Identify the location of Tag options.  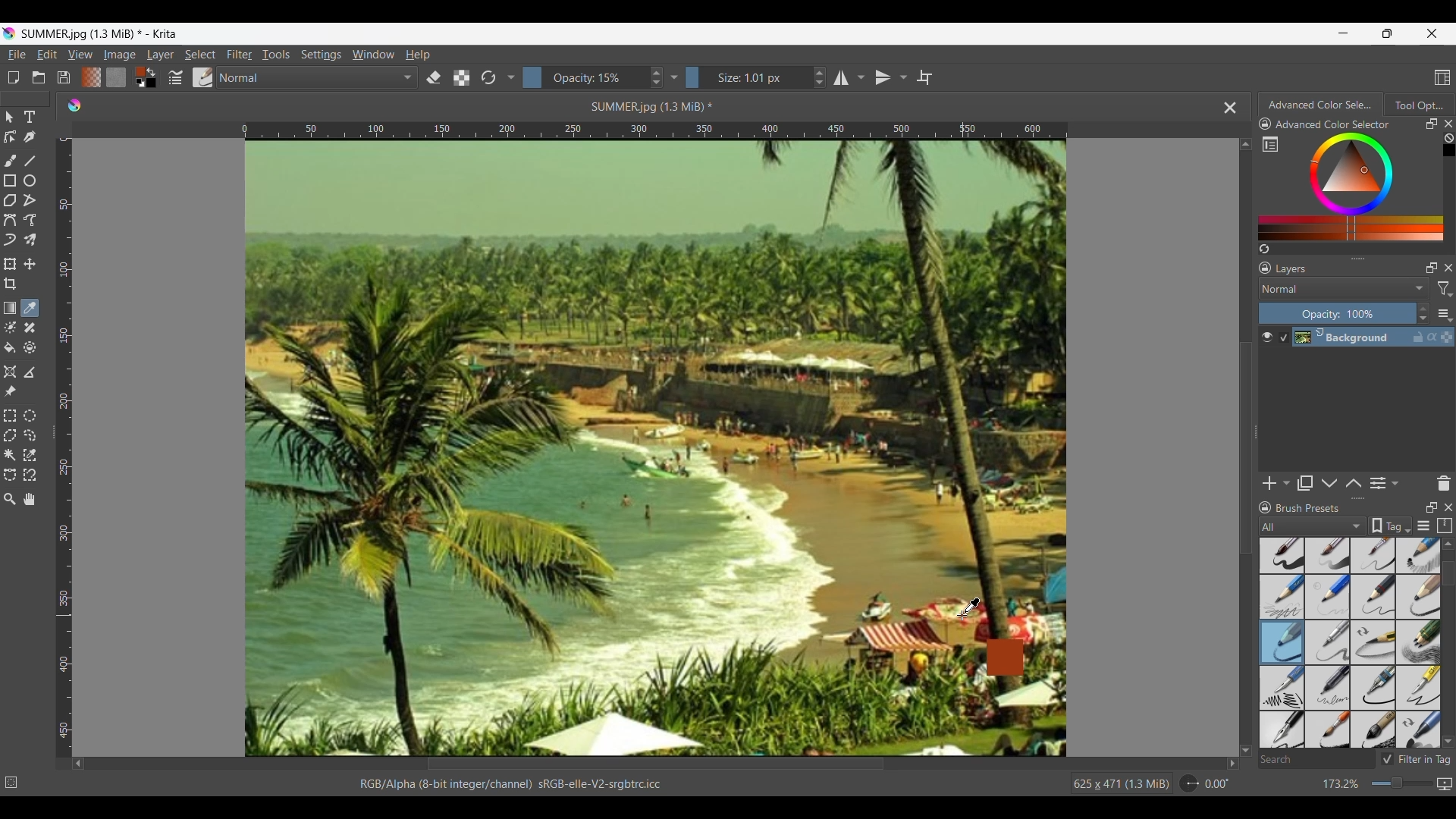
(1313, 526).